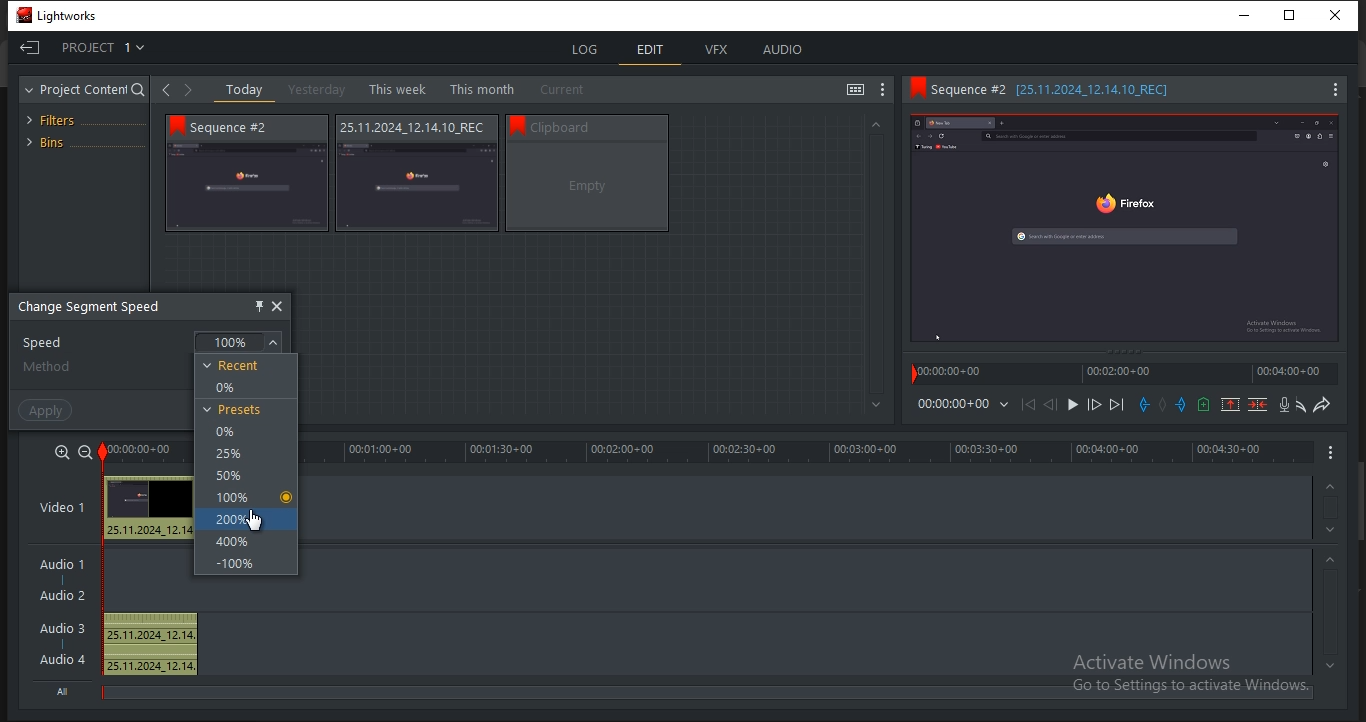  What do you see at coordinates (279, 306) in the screenshot?
I see `close` at bounding box center [279, 306].